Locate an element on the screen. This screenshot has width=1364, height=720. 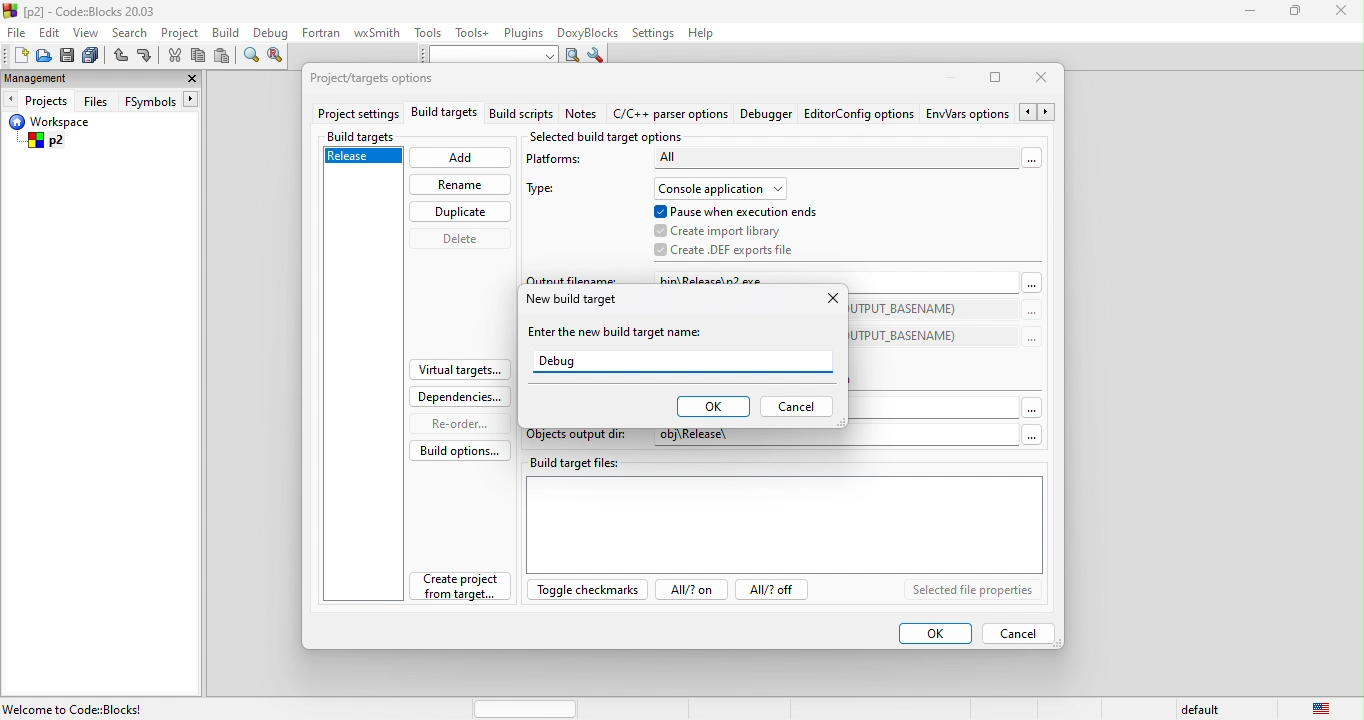
cut is located at coordinates (174, 56).